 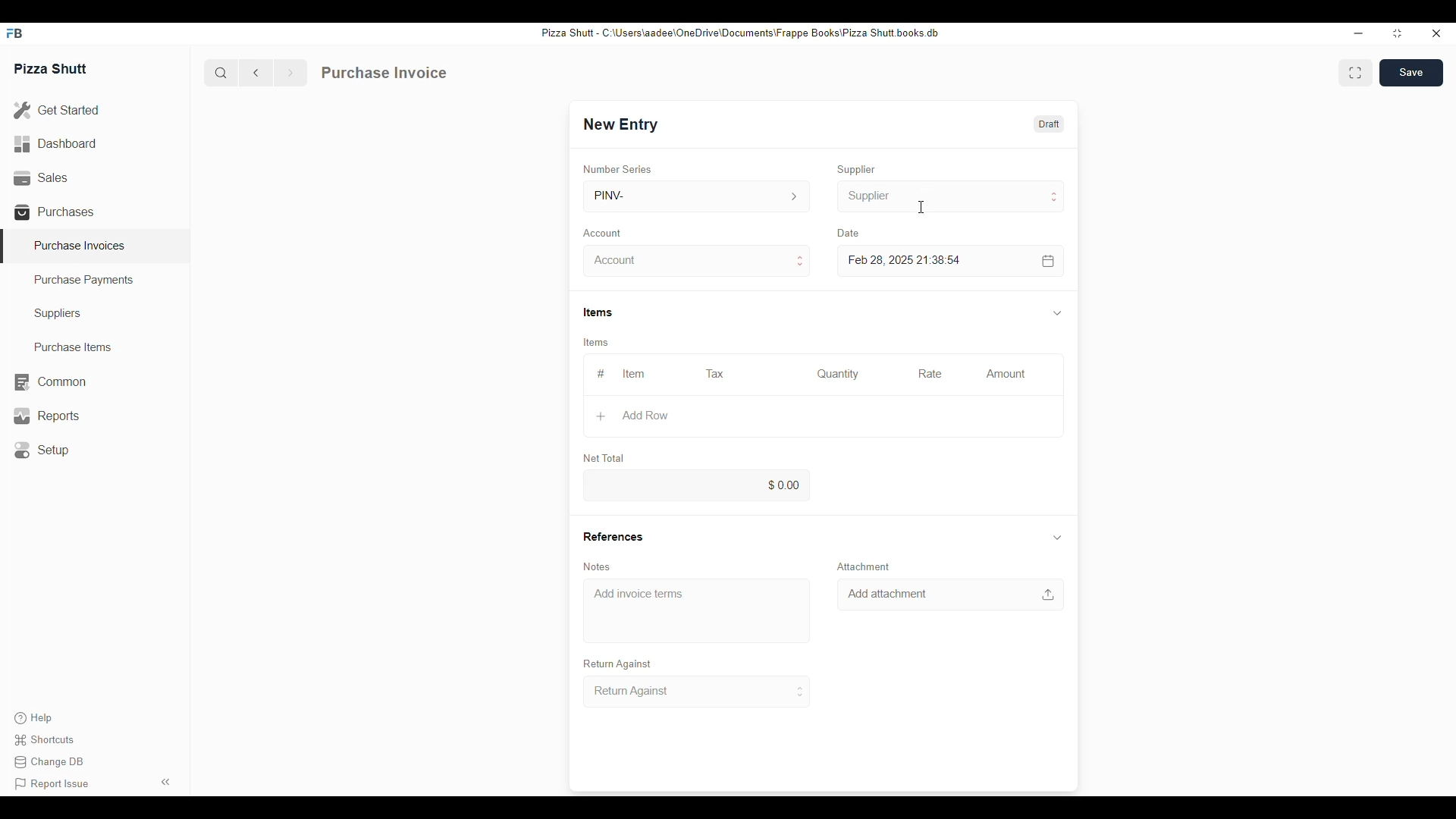 What do you see at coordinates (617, 664) in the screenshot?
I see `Return Against` at bounding box center [617, 664].